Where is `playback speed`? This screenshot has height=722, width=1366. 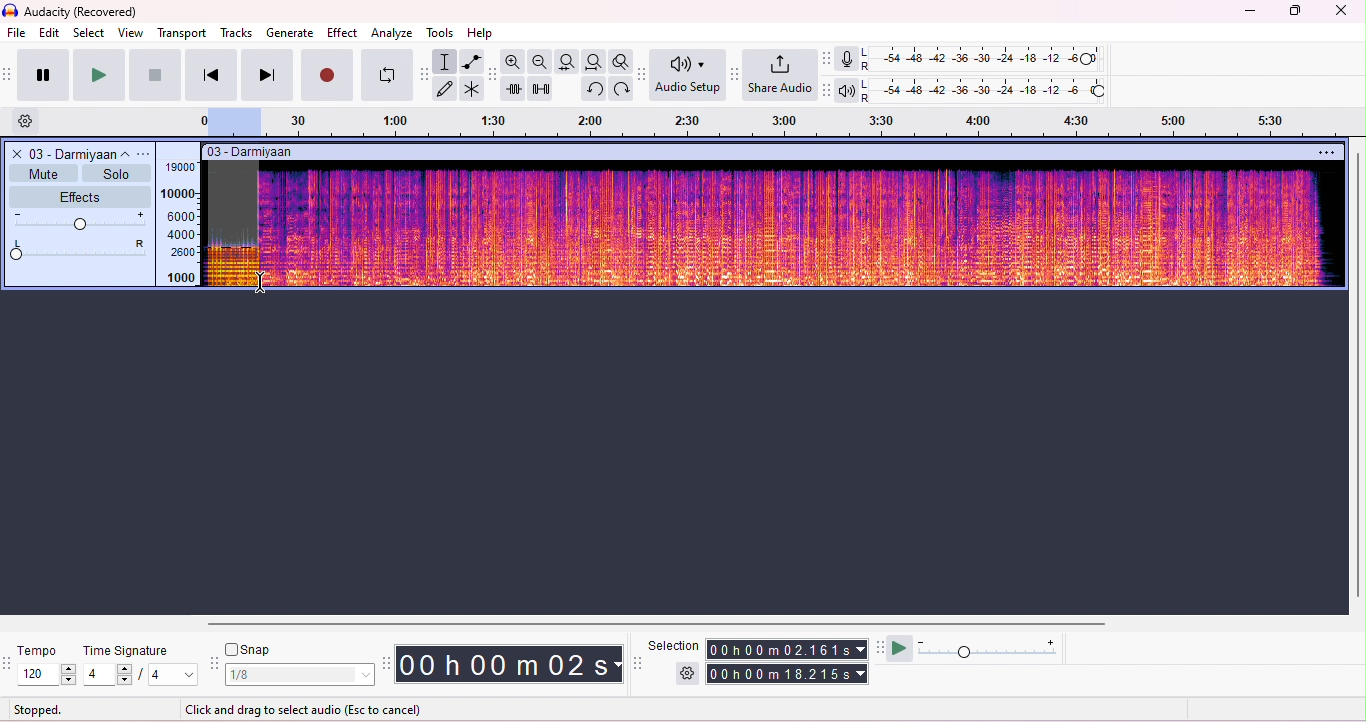 playback speed is located at coordinates (988, 648).